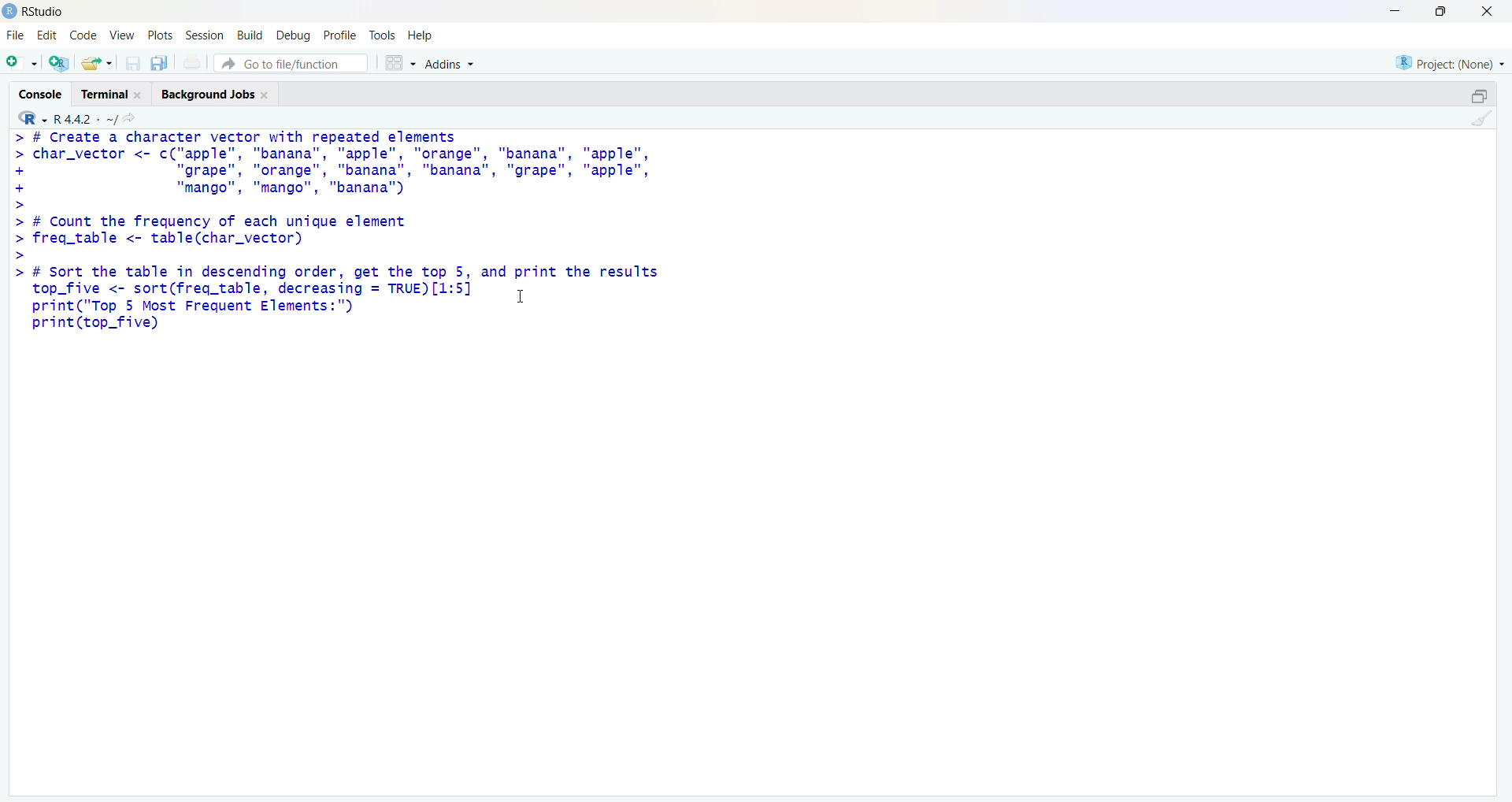  I want to click on Plots, so click(161, 36).